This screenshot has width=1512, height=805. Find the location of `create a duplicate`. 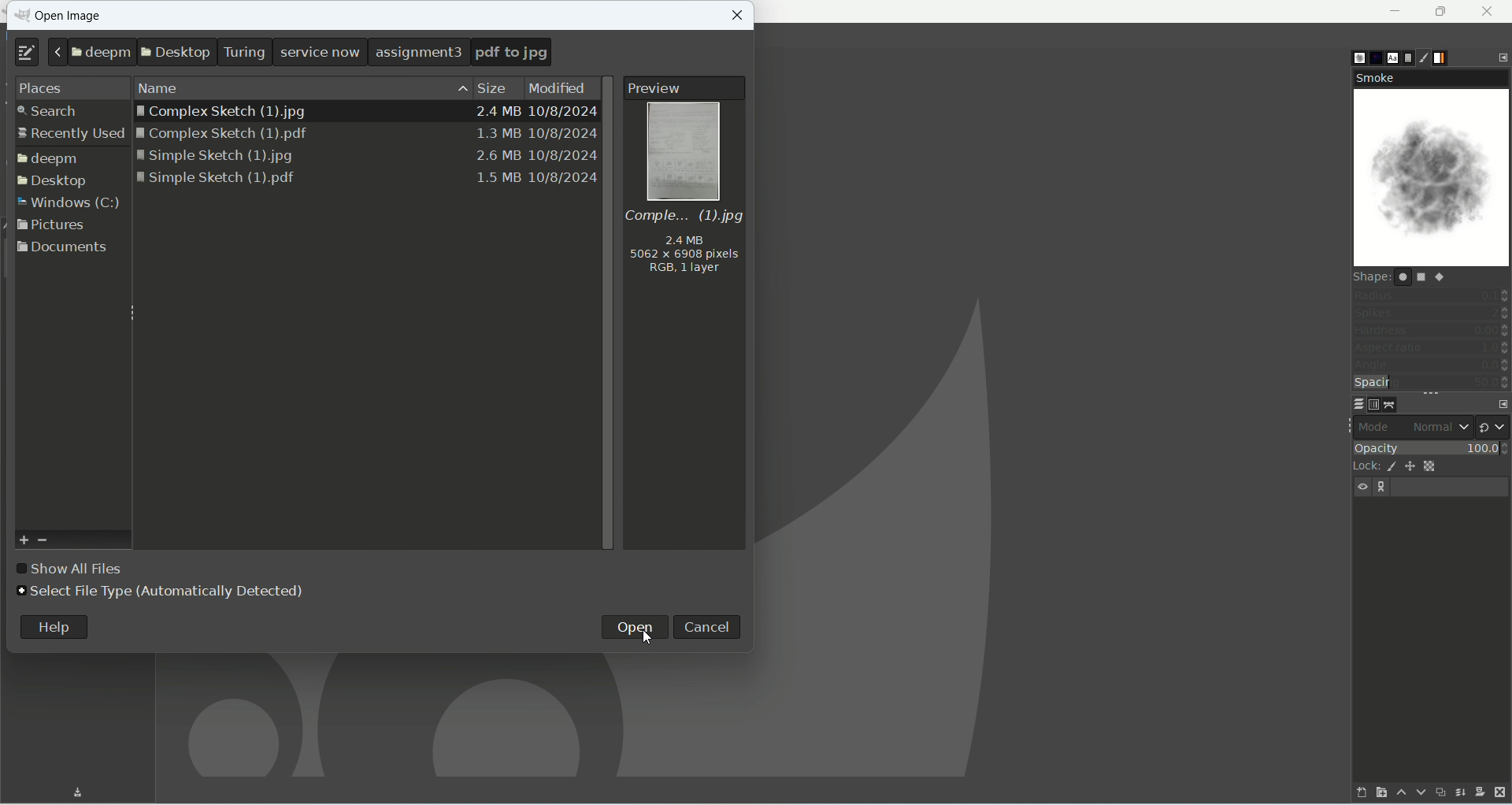

create a duplicate is located at coordinates (1440, 795).